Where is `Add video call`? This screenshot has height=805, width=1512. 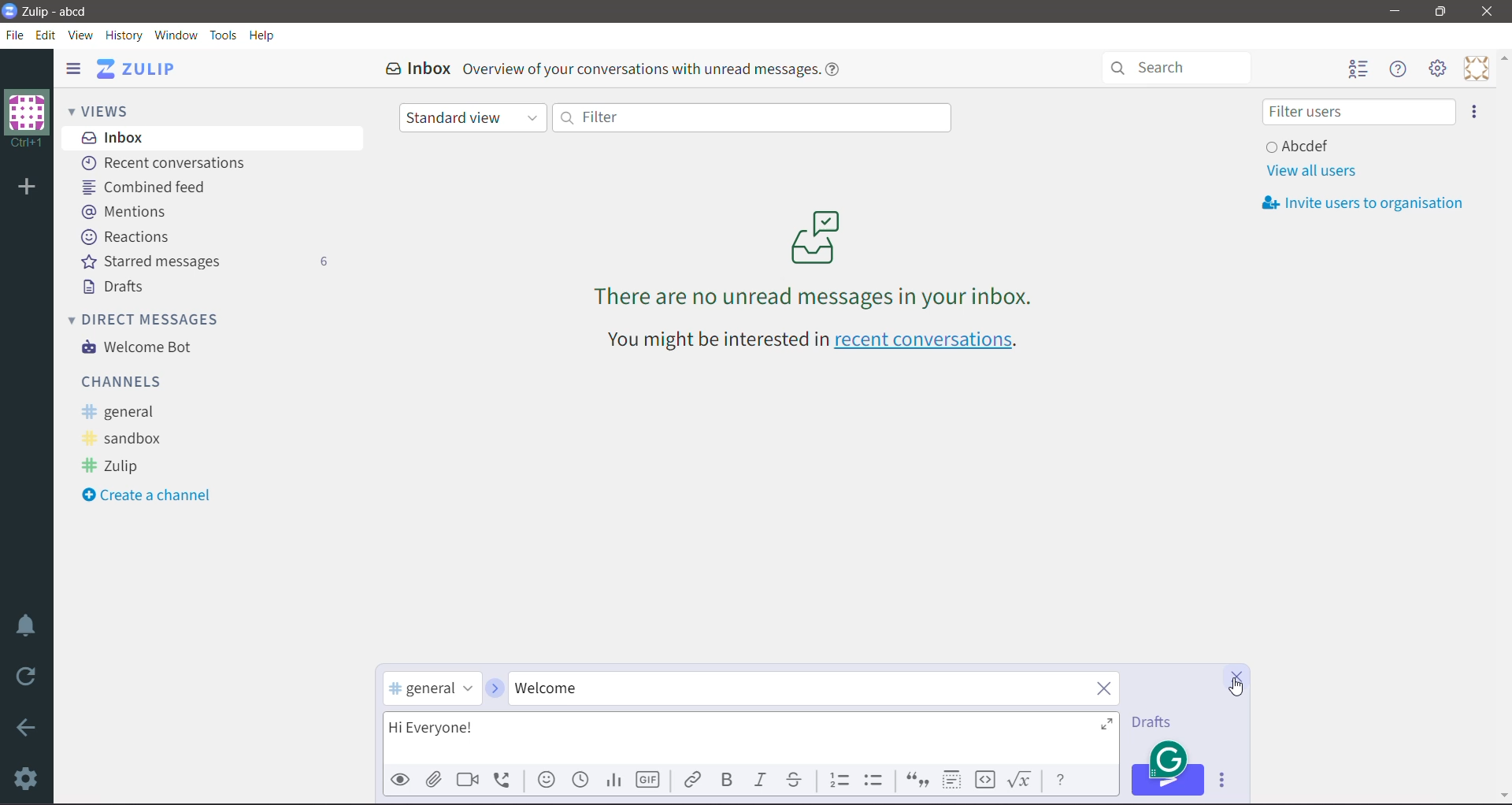
Add video call is located at coordinates (466, 780).